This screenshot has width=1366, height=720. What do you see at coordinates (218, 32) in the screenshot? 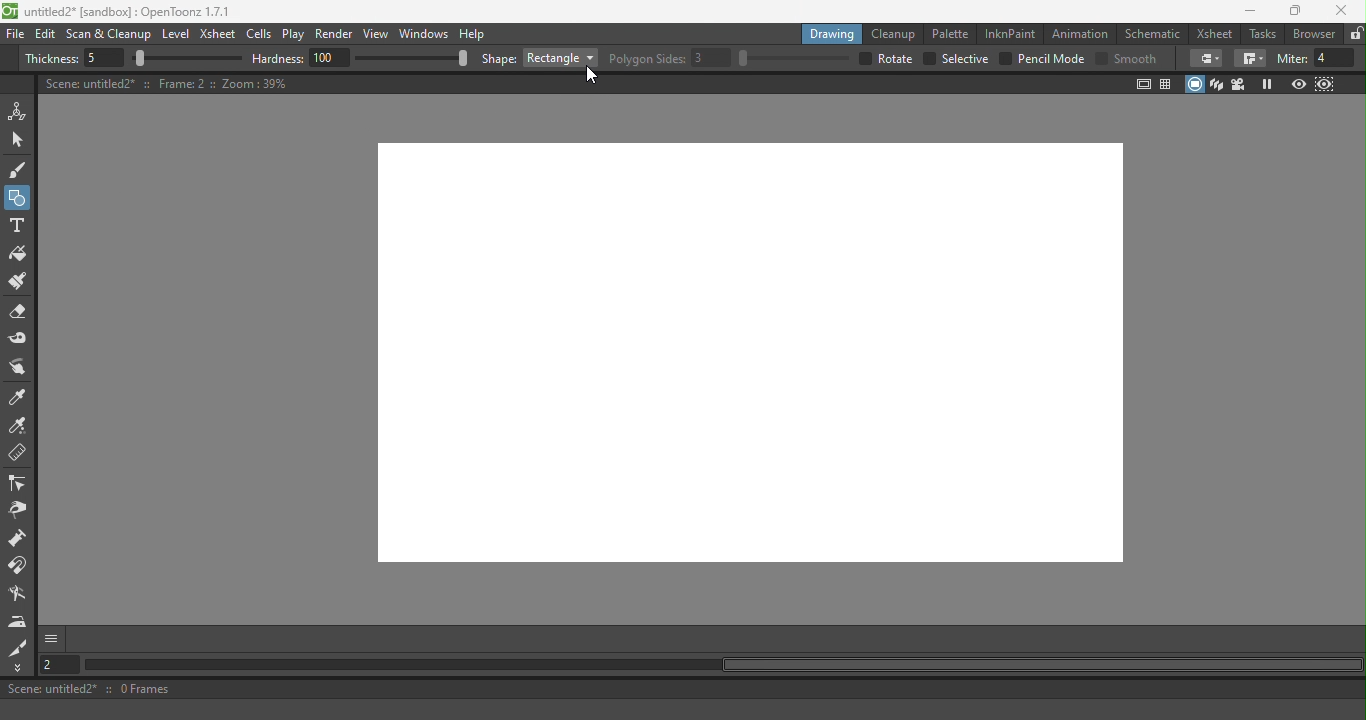
I see `Xsheet` at bounding box center [218, 32].